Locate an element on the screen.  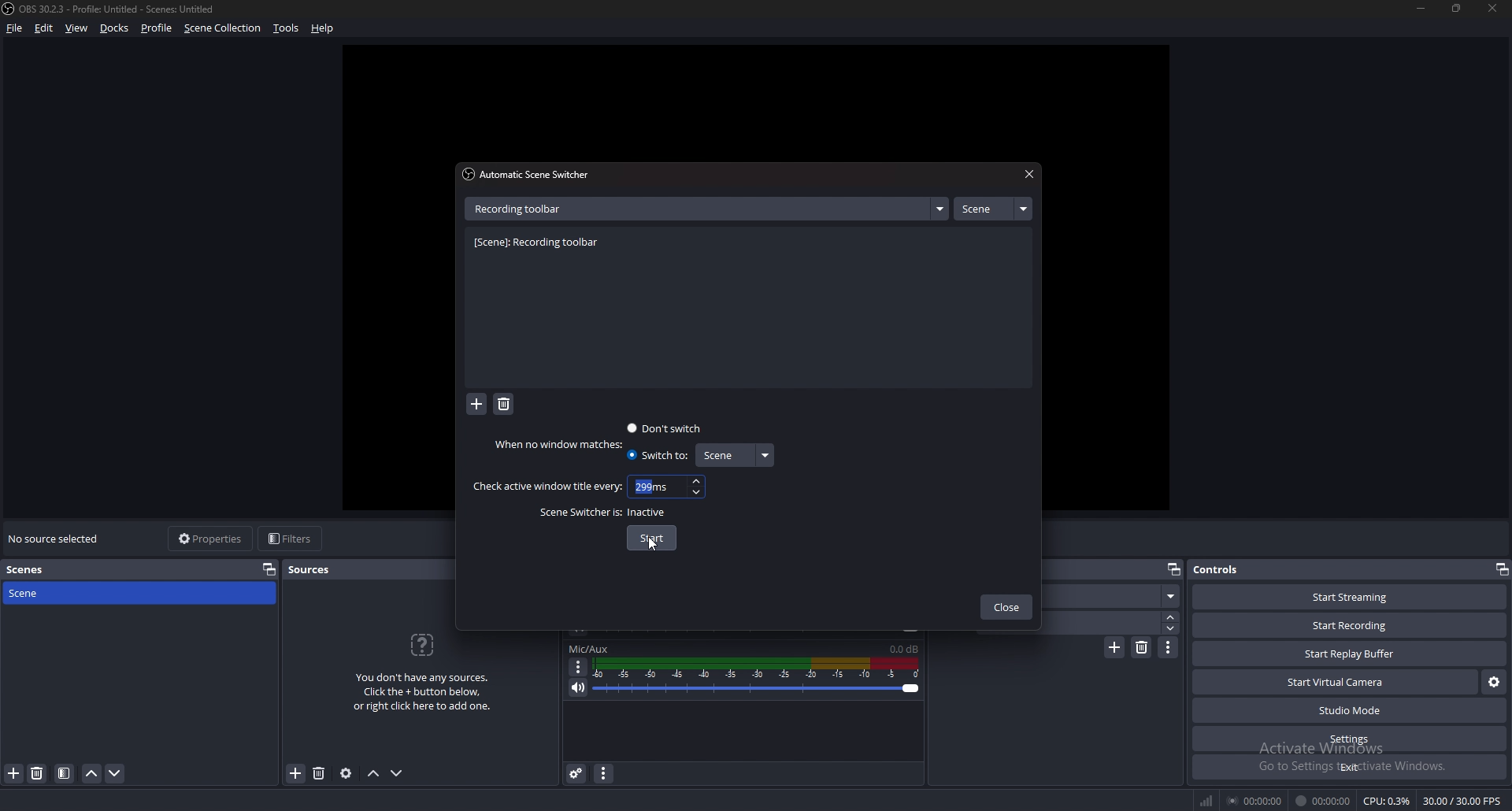
recording toolbar is located at coordinates (541, 243).